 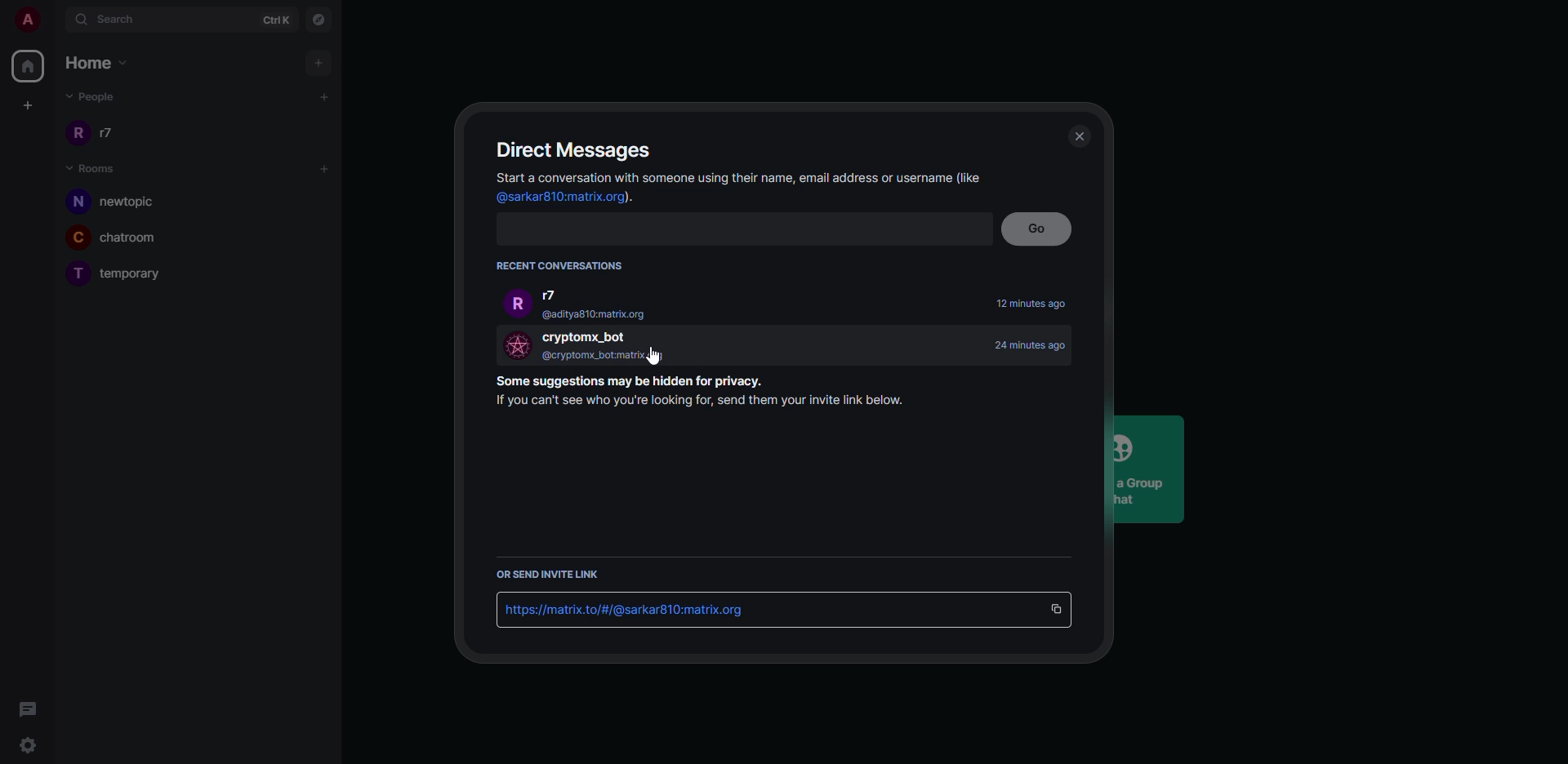 What do you see at coordinates (1033, 304) in the screenshot?
I see `time` at bounding box center [1033, 304].